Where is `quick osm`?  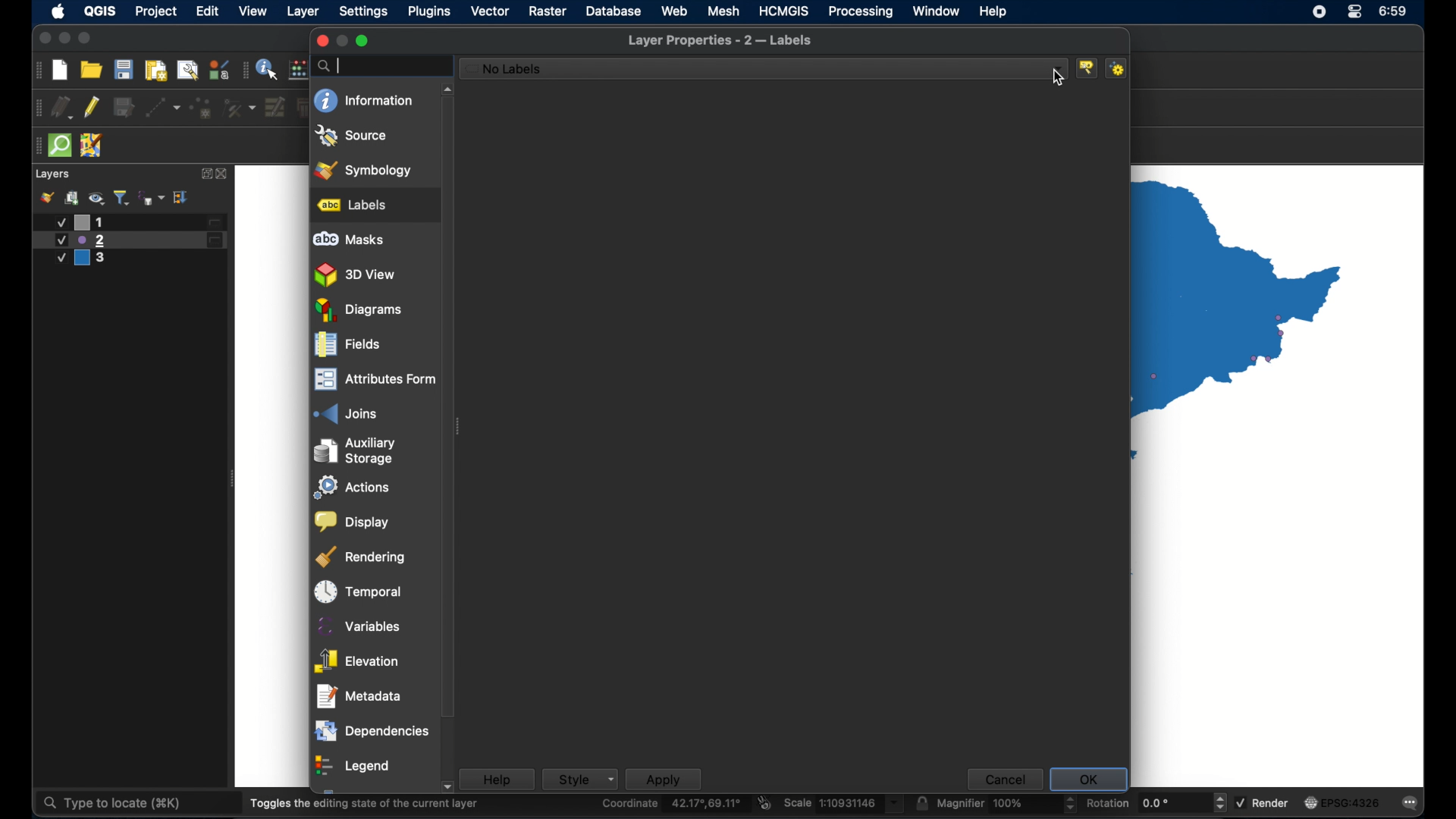 quick osm is located at coordinates (61, 146).